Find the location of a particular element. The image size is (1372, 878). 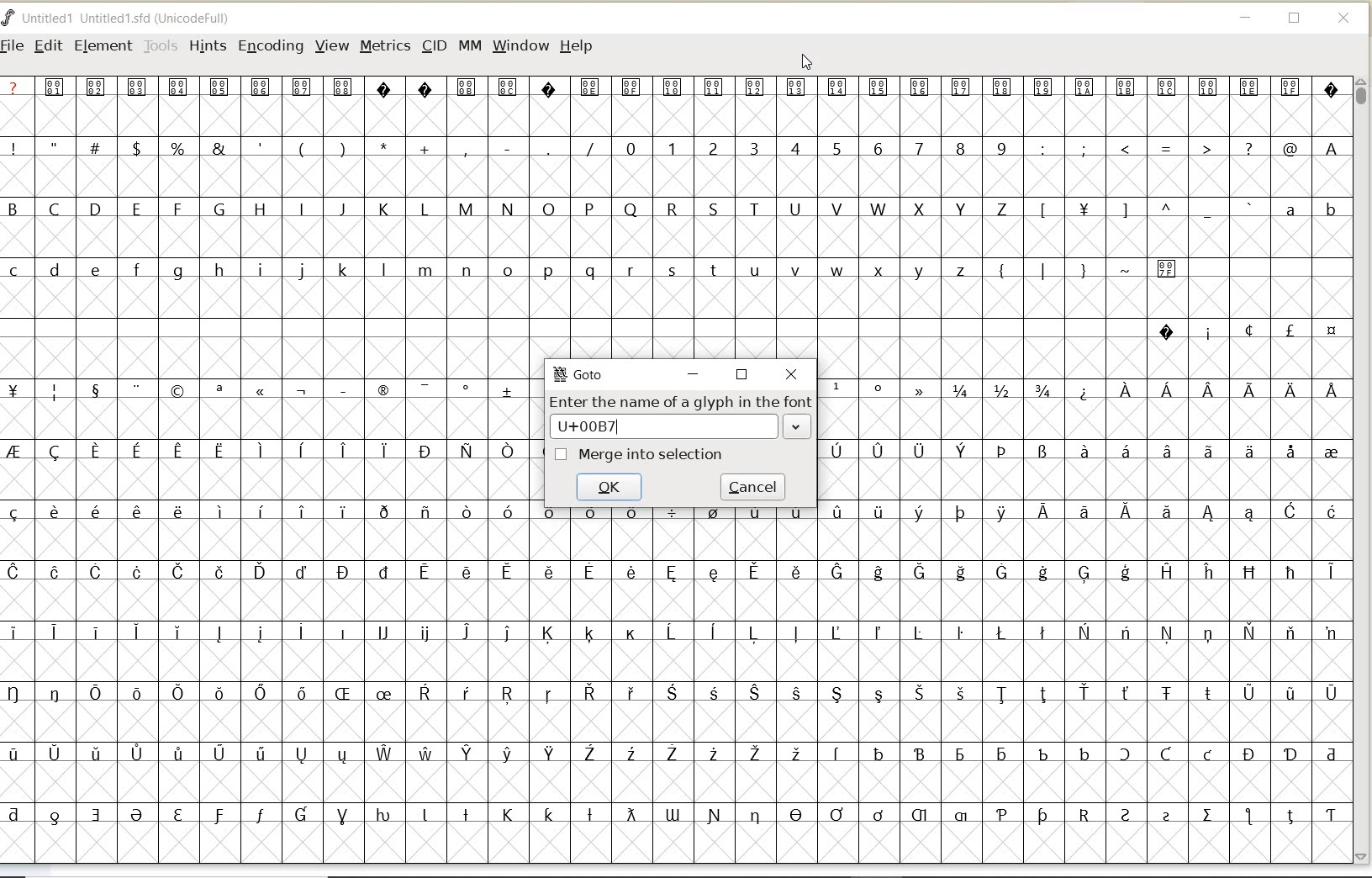

ELEMENT is located at coordinates (103, 45).